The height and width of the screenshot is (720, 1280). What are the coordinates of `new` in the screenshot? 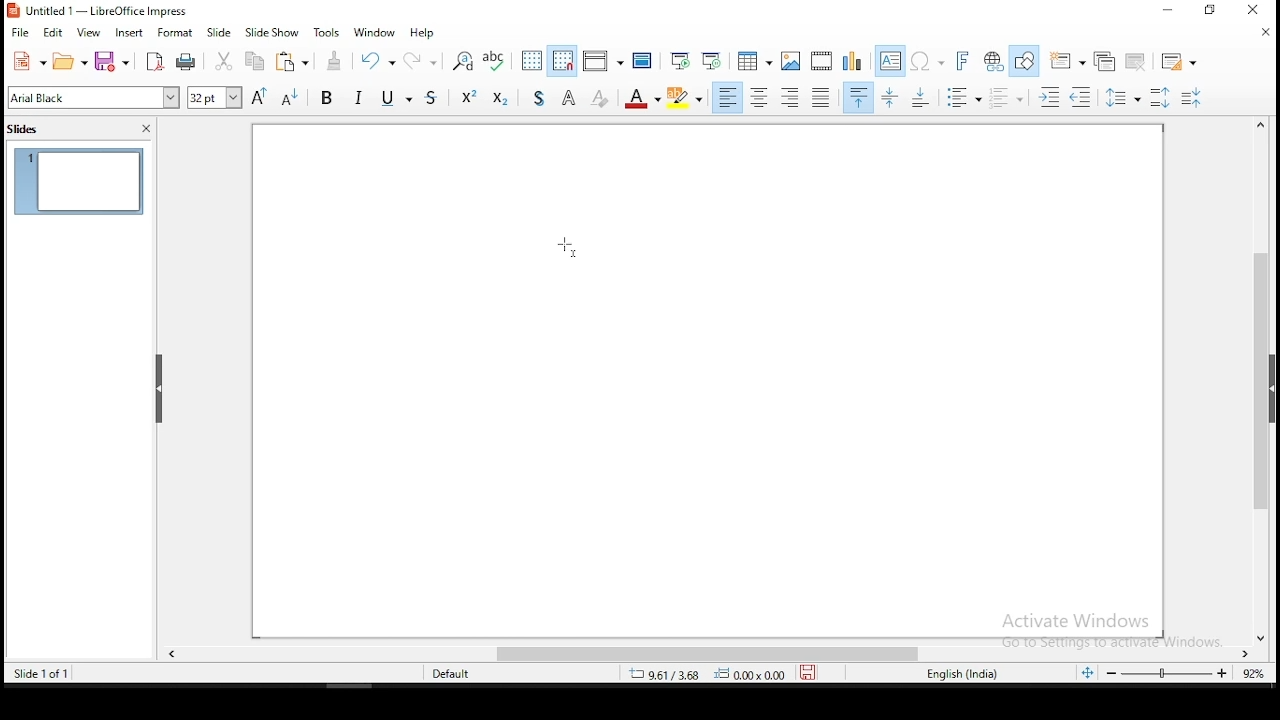 It's located at (28, 61).